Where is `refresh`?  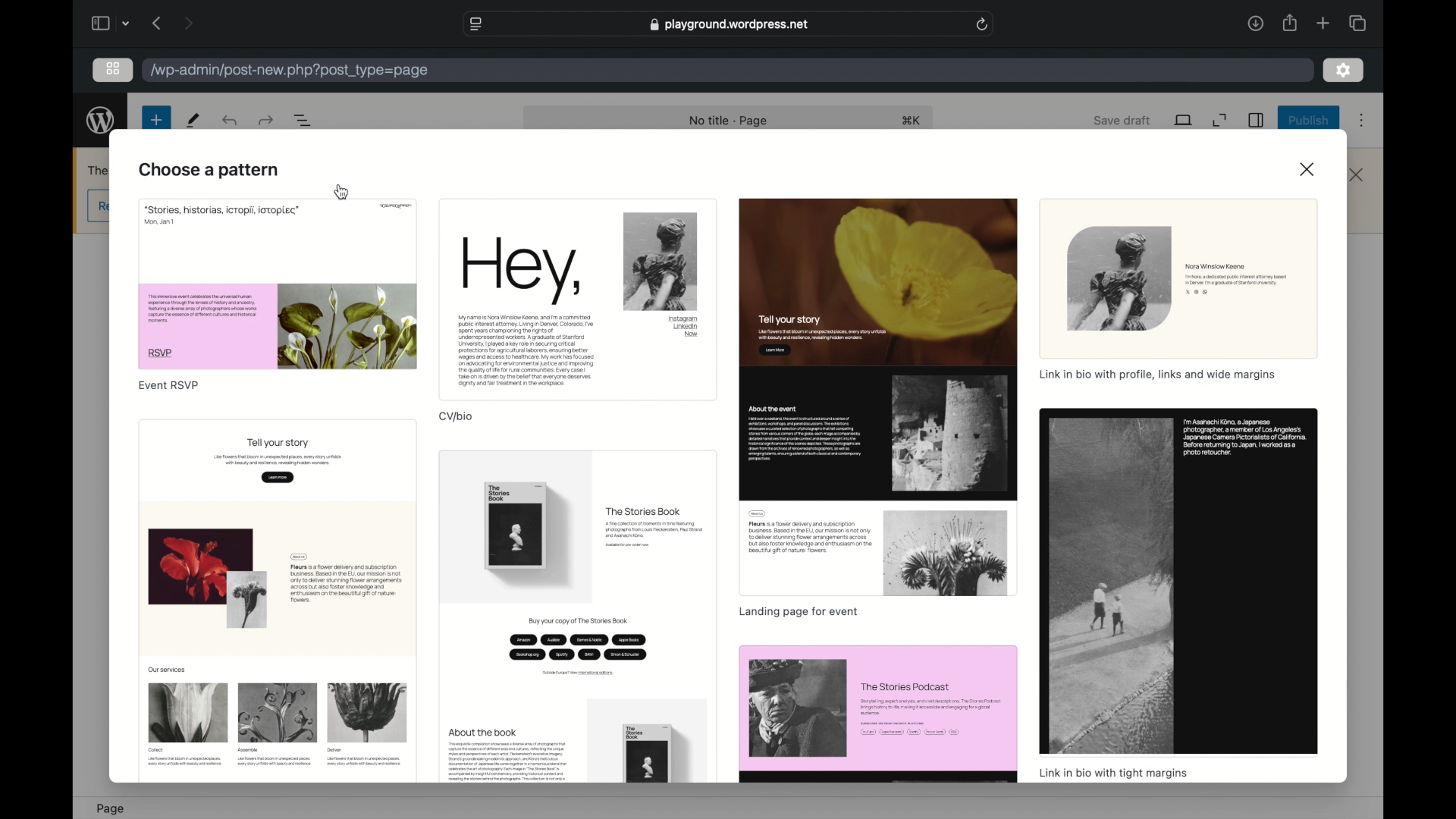 refresh is located at coordinates (983, 24).